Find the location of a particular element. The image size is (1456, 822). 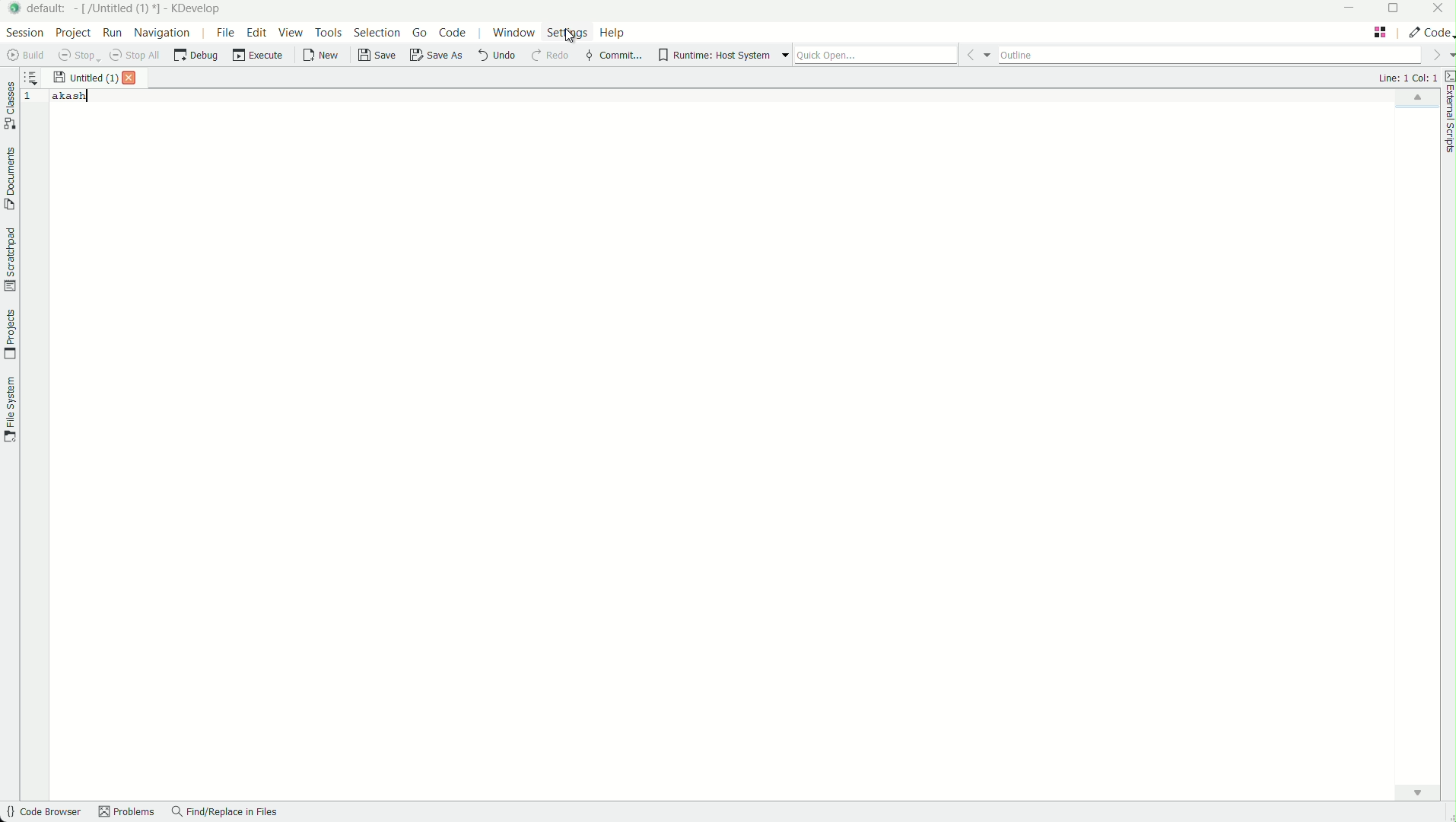

file name is located at coordinates (85, 78).